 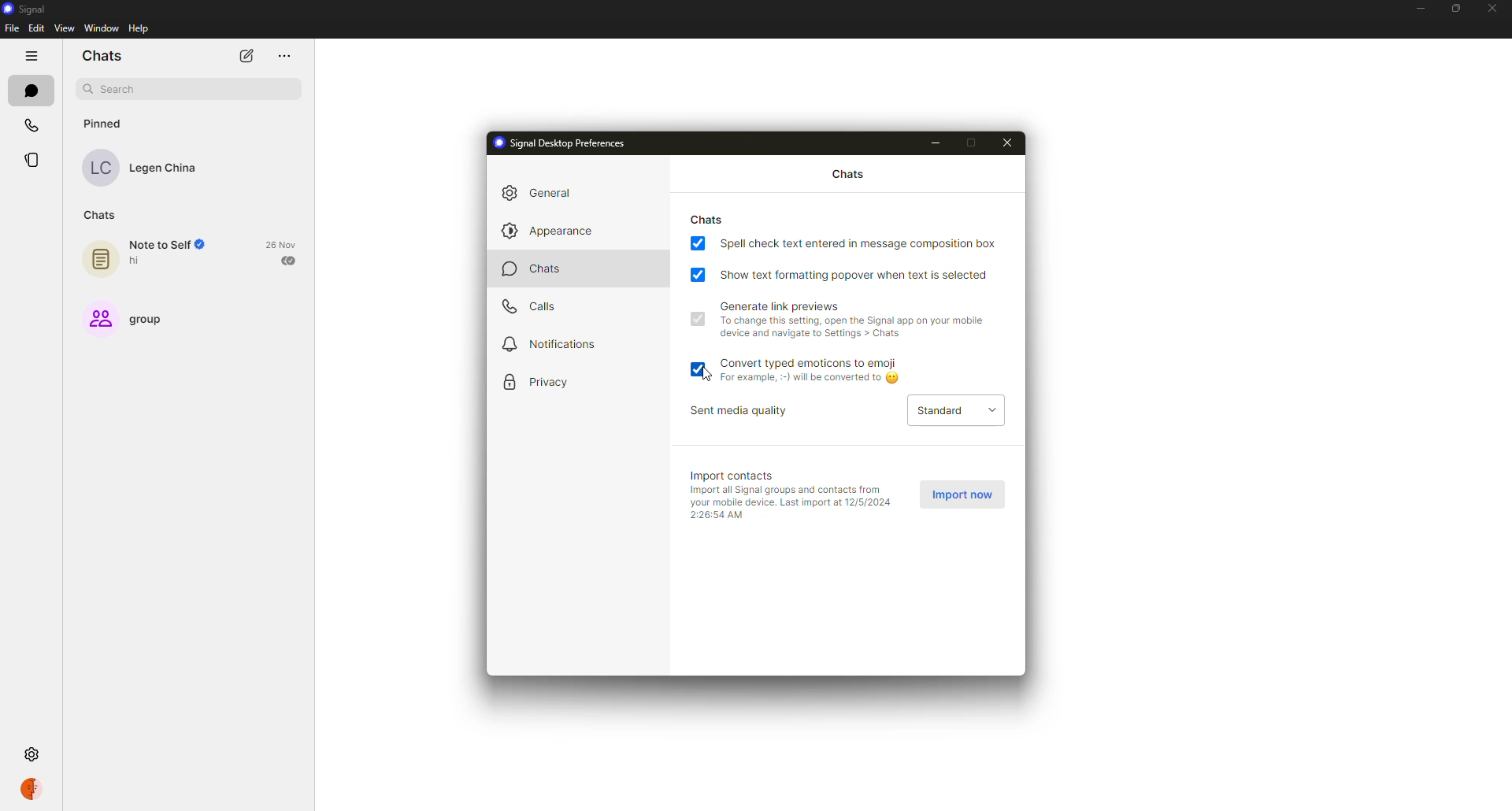 What do you see at coordinates (539, 268) in the screenshot?
I see `chats` at bounding box center [539, 268].